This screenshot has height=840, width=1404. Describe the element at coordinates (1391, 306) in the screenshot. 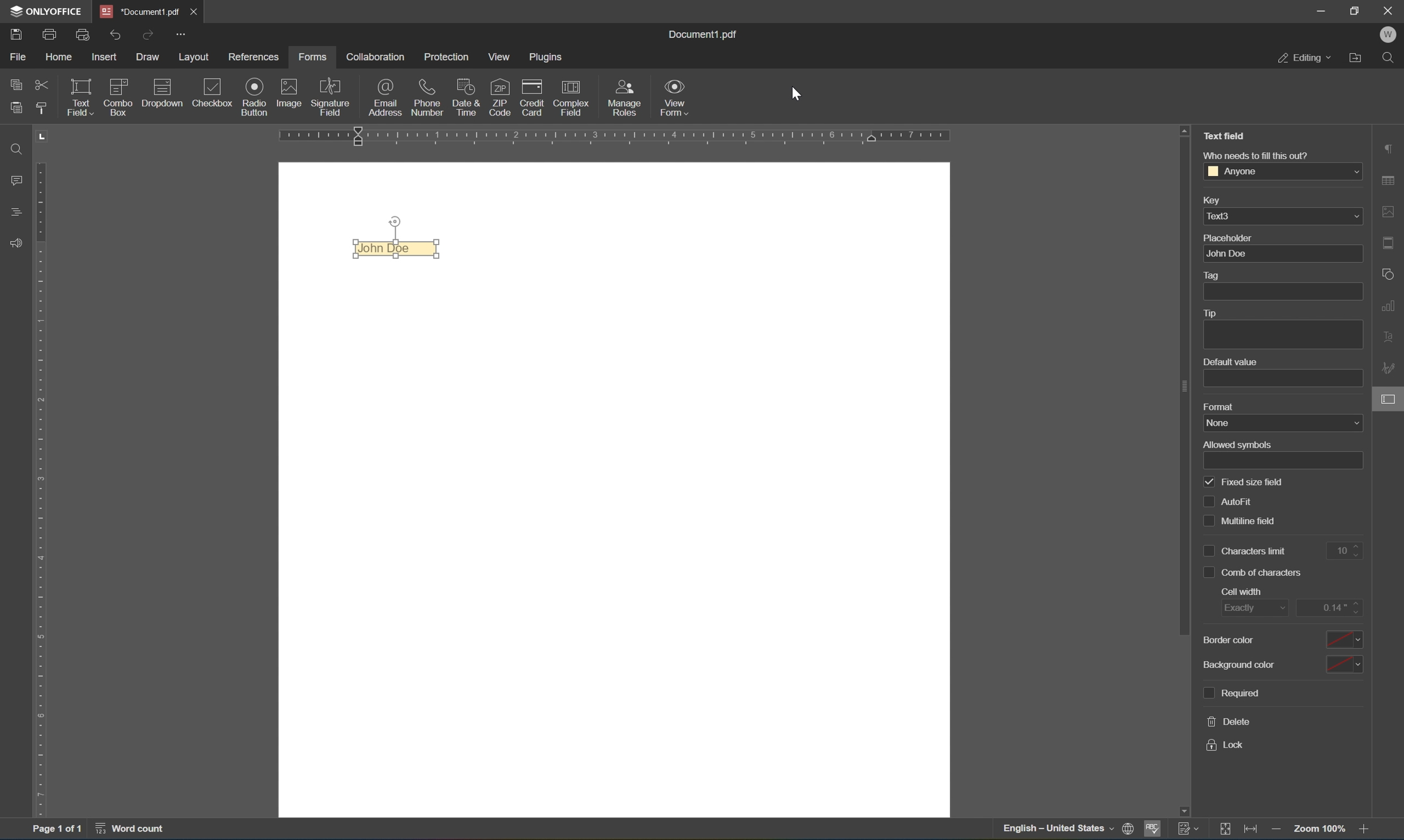

I see `chart settings` at that location.